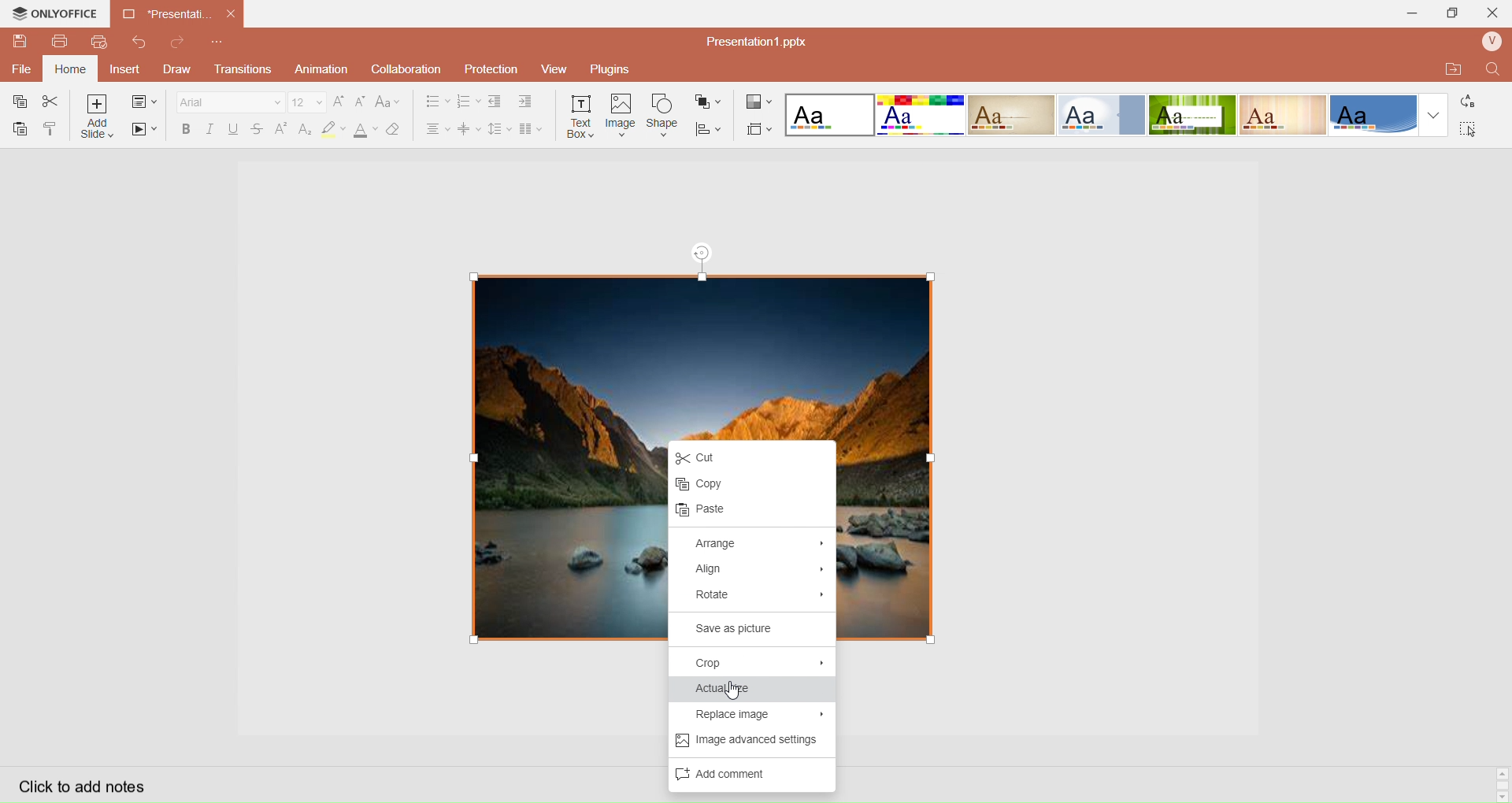  I want to click on Select All, so click(1468, 129).